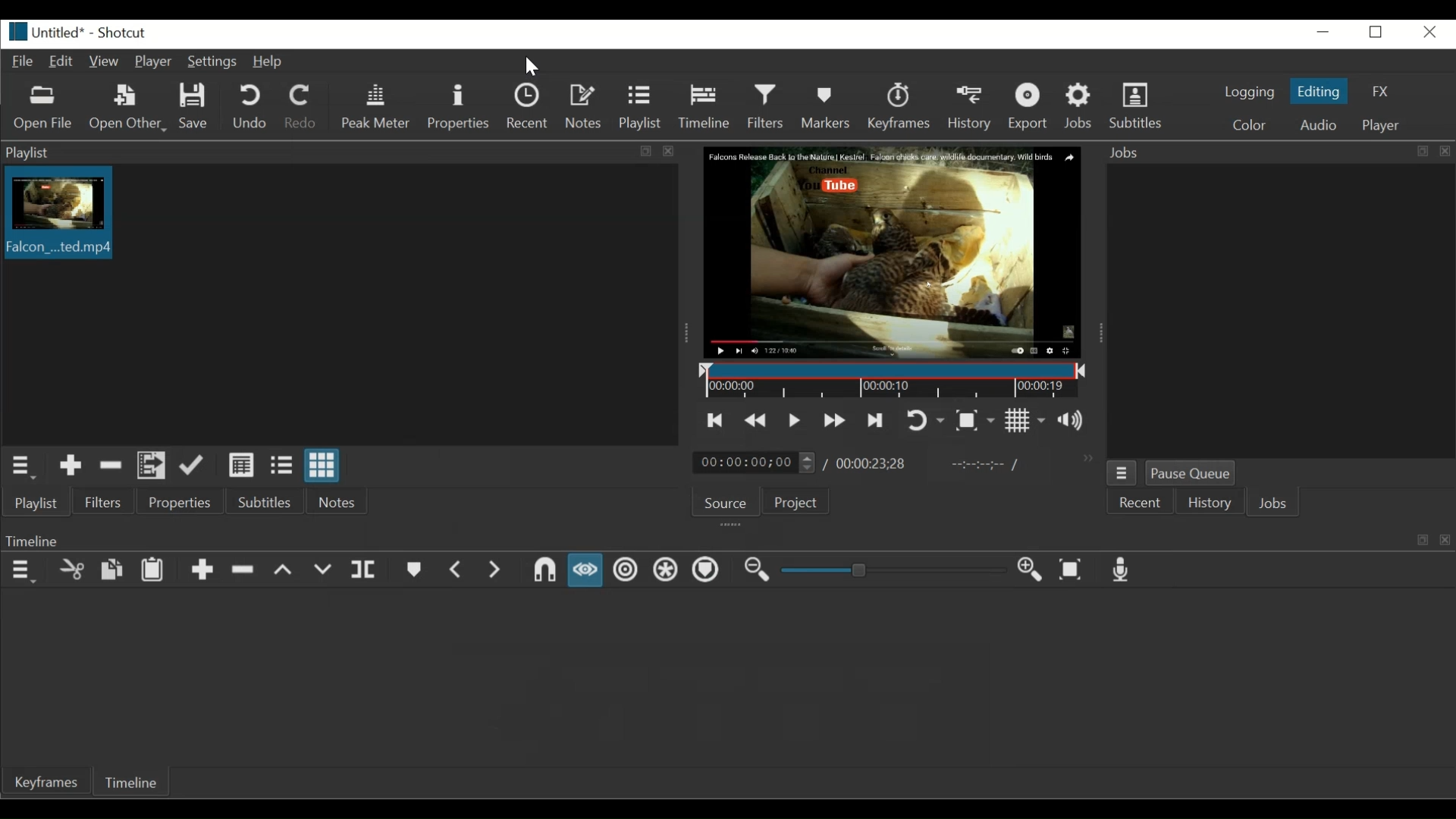 The height and width of the screenshot is (819, 1456). I want to click on :00:00:23:28(Total Duration), so click(868, 463).